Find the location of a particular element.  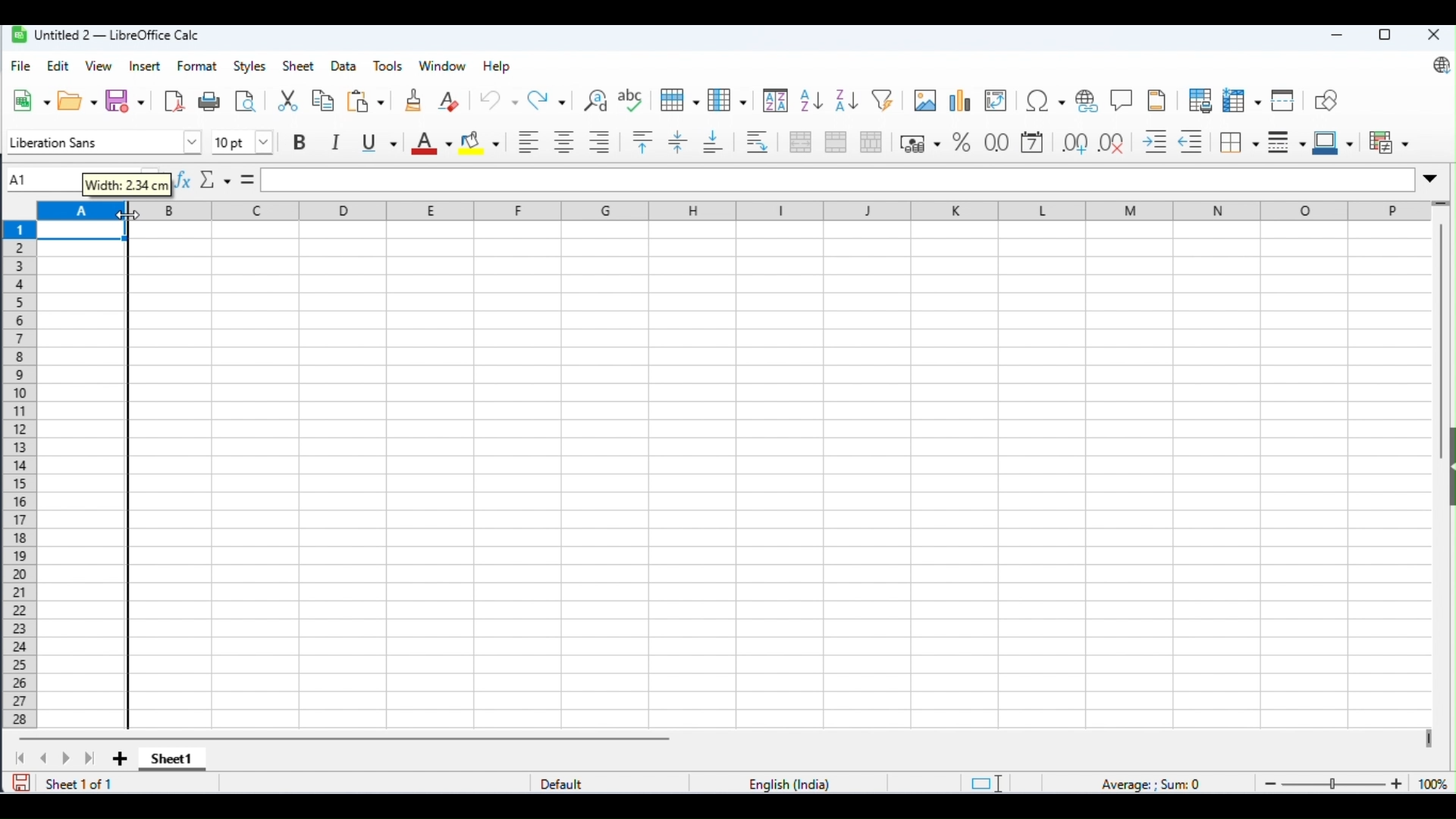

save is located at coordinates (126, 99).